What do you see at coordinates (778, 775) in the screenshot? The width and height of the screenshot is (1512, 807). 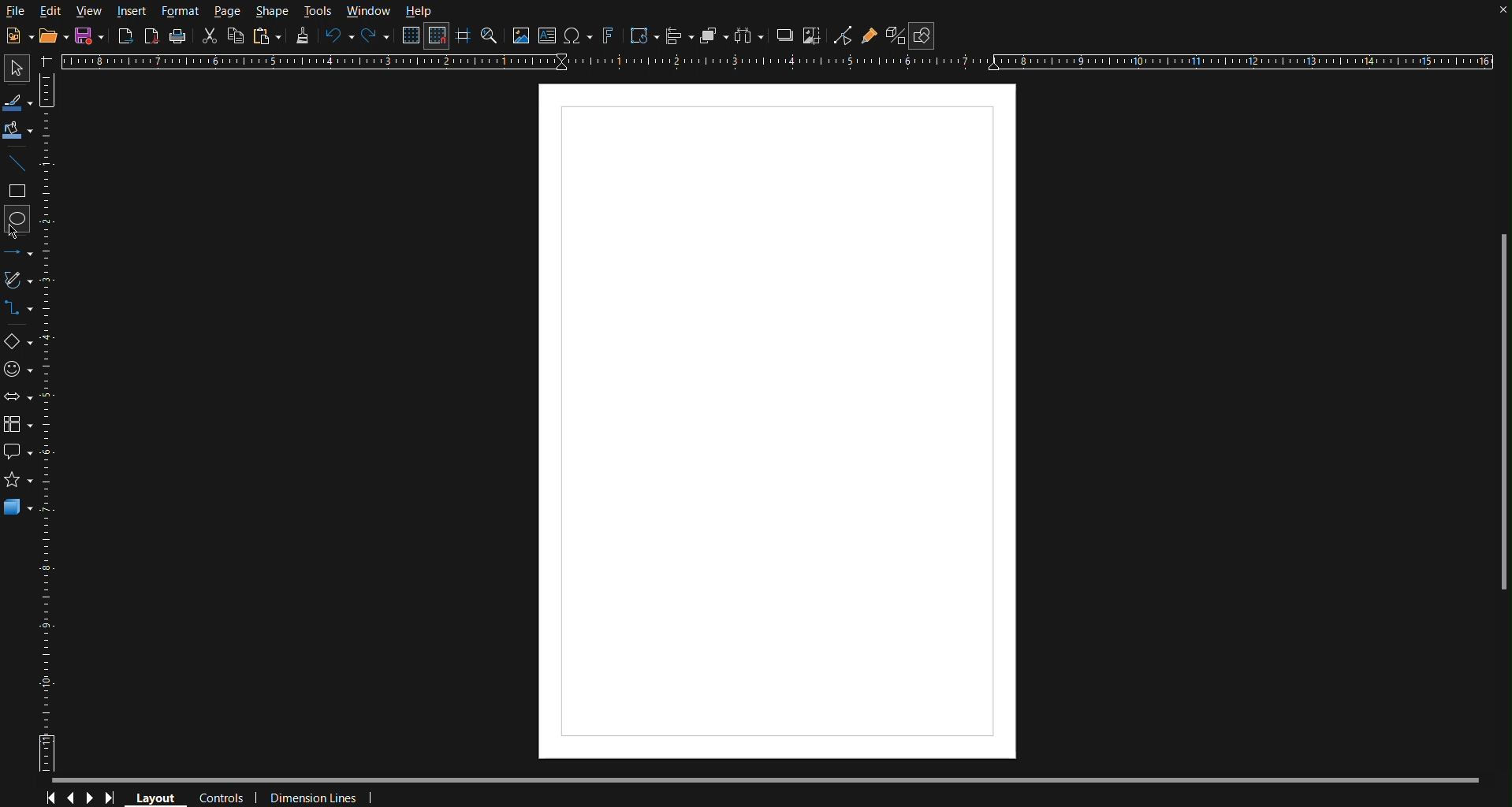 I see `Scrollbar` at bounding box center [778, 775].